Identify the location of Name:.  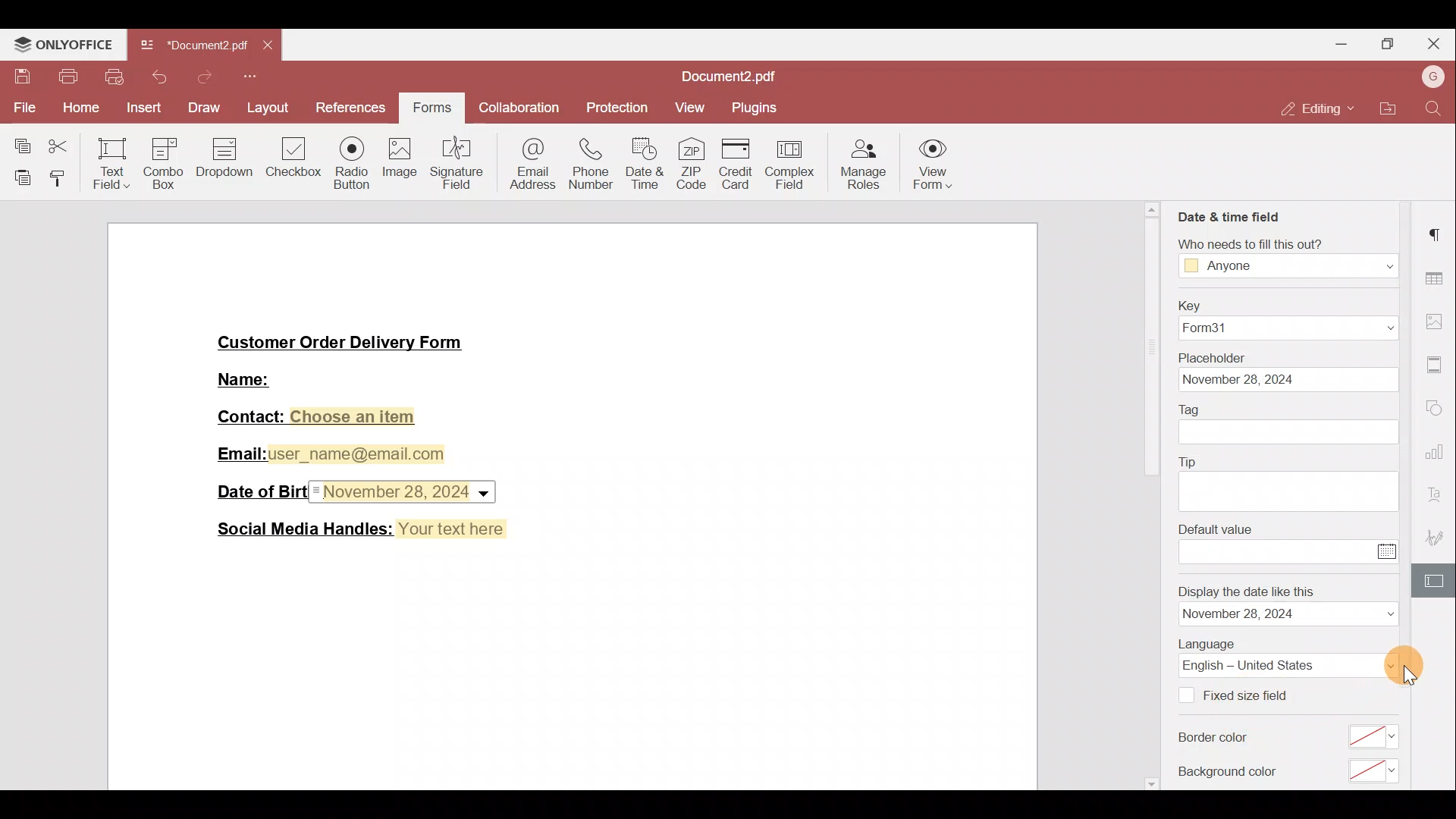
(247, 378).